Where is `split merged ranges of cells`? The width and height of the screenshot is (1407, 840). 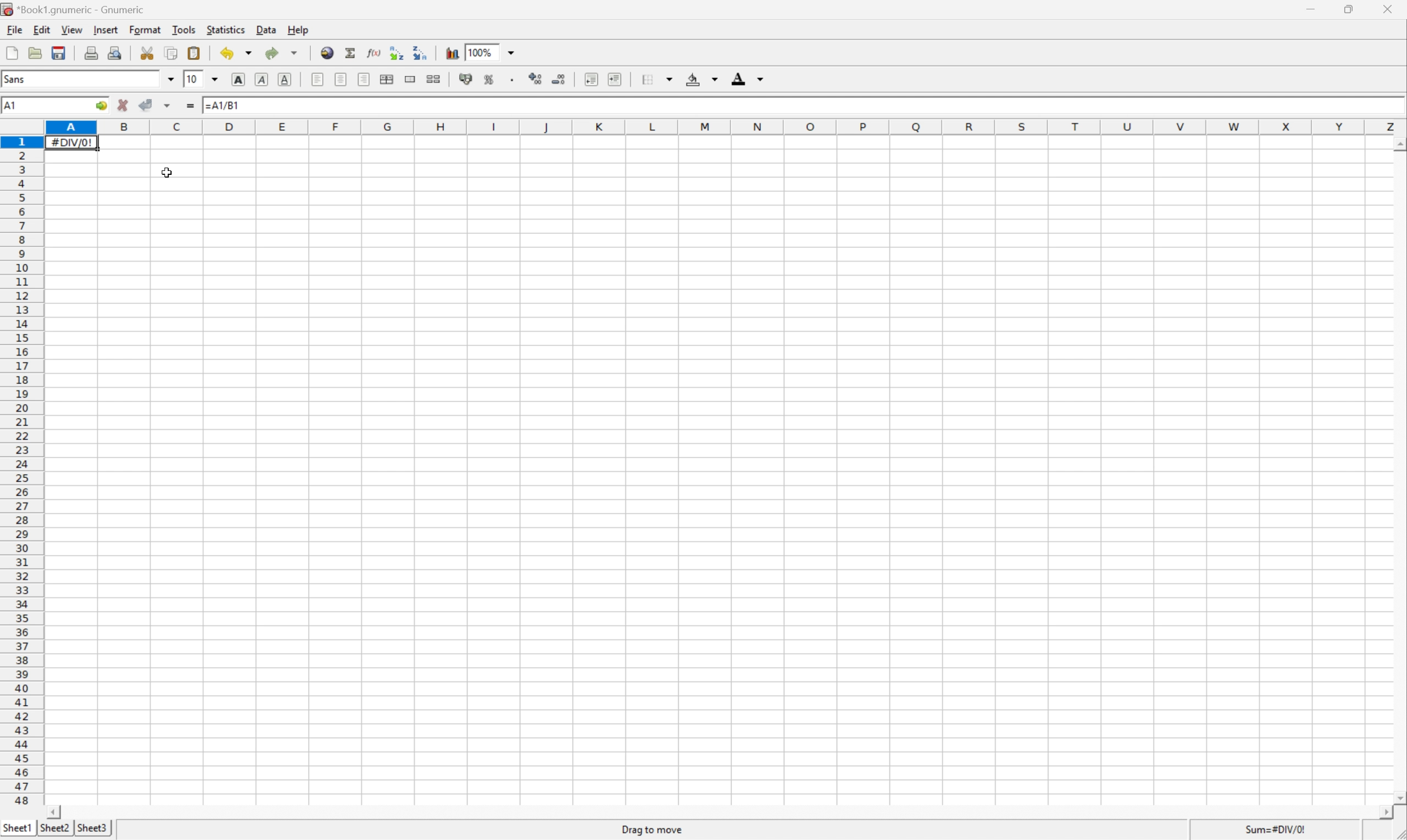
split merged ranges of cells is located at coordinates (435, 79).